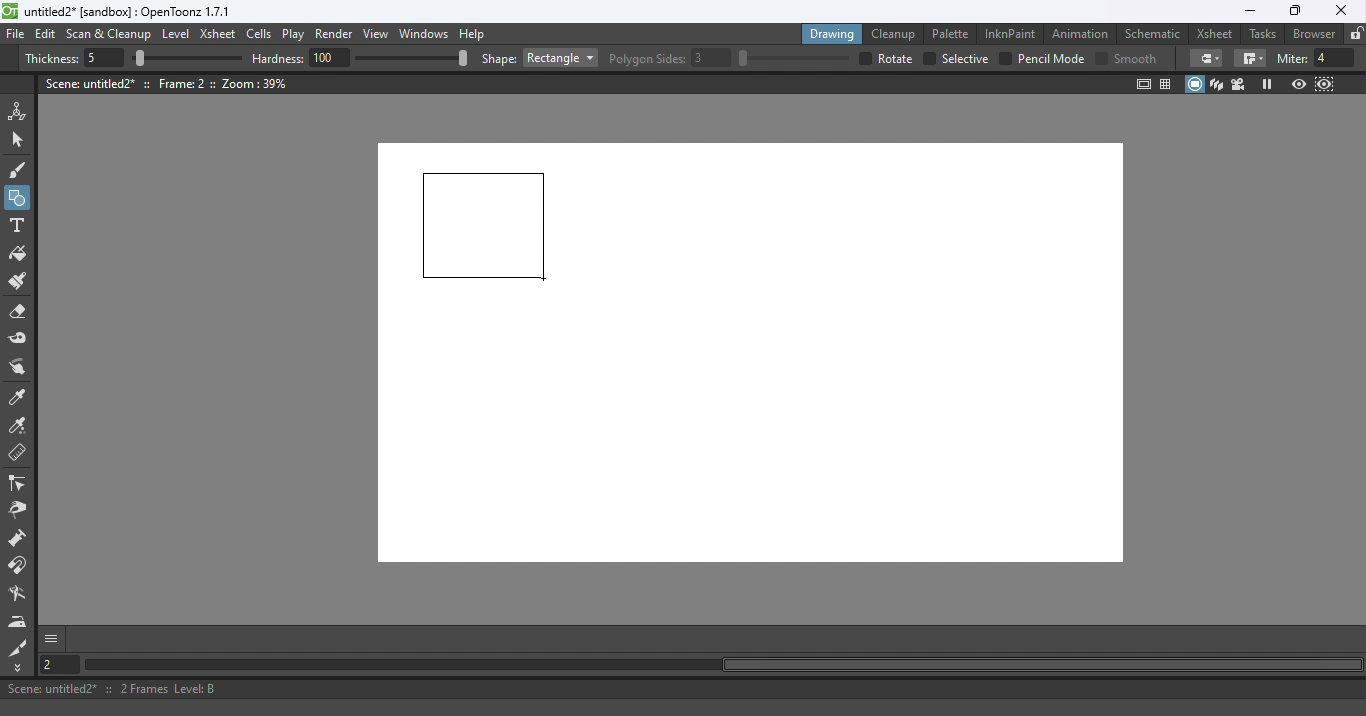 This screenshot has height=716, width=1366. Describe the element at coordinates (48, 34) in the screenshot. I see `Edit` at that location.